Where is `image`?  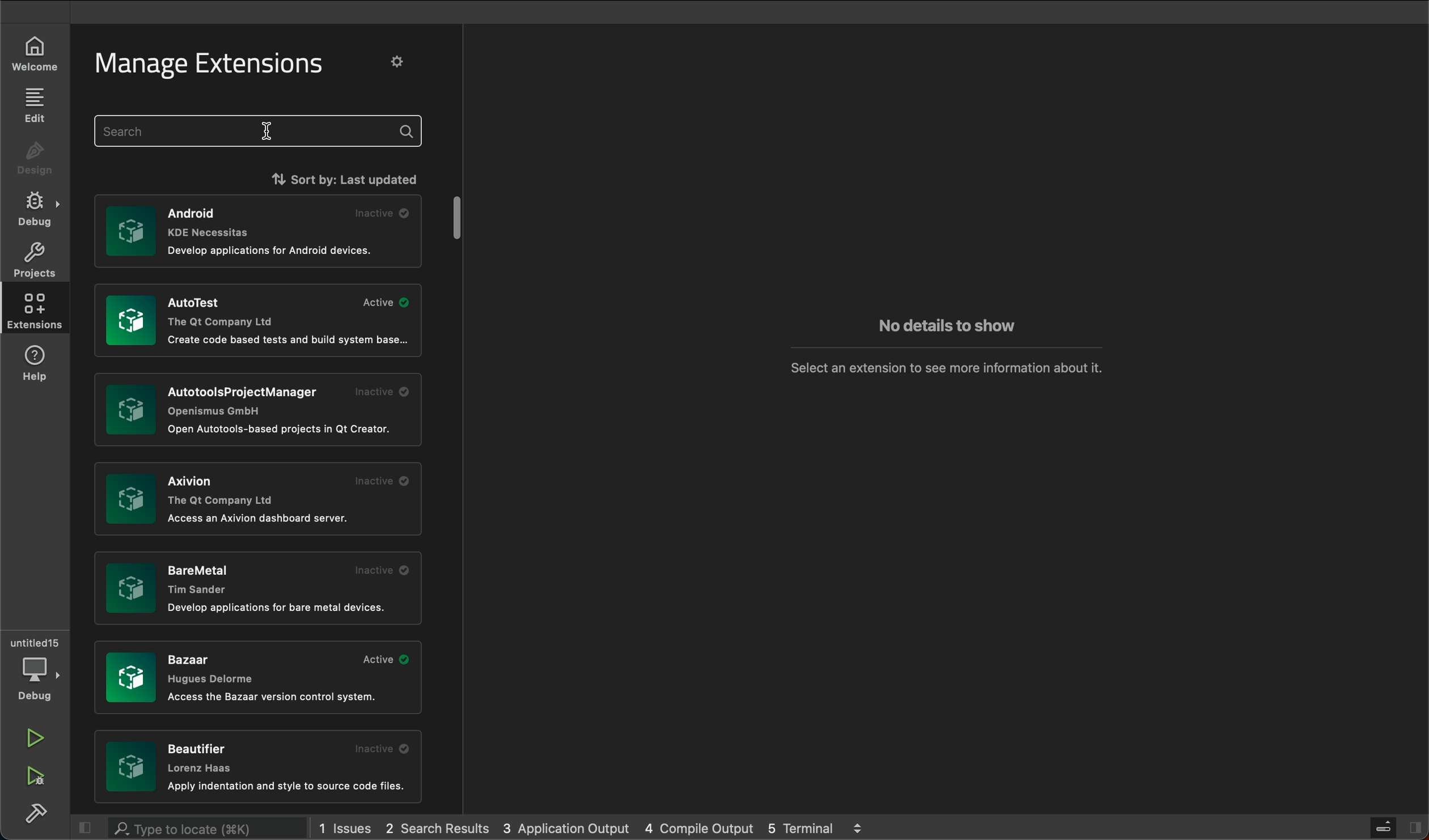 image is located at coordinates (132, 231).